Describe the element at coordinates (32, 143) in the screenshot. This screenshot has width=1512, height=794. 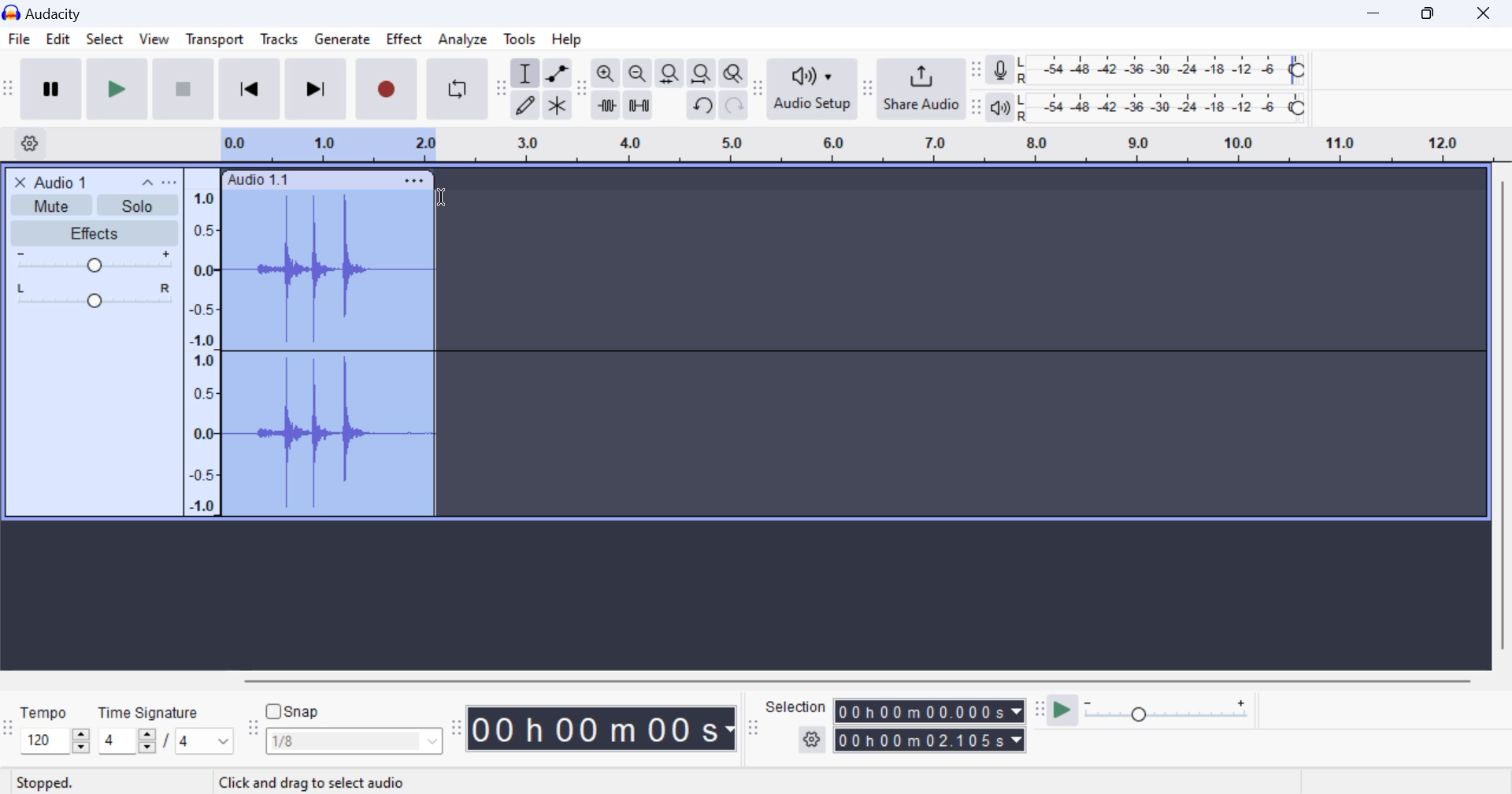
I see `Settings` at that location.